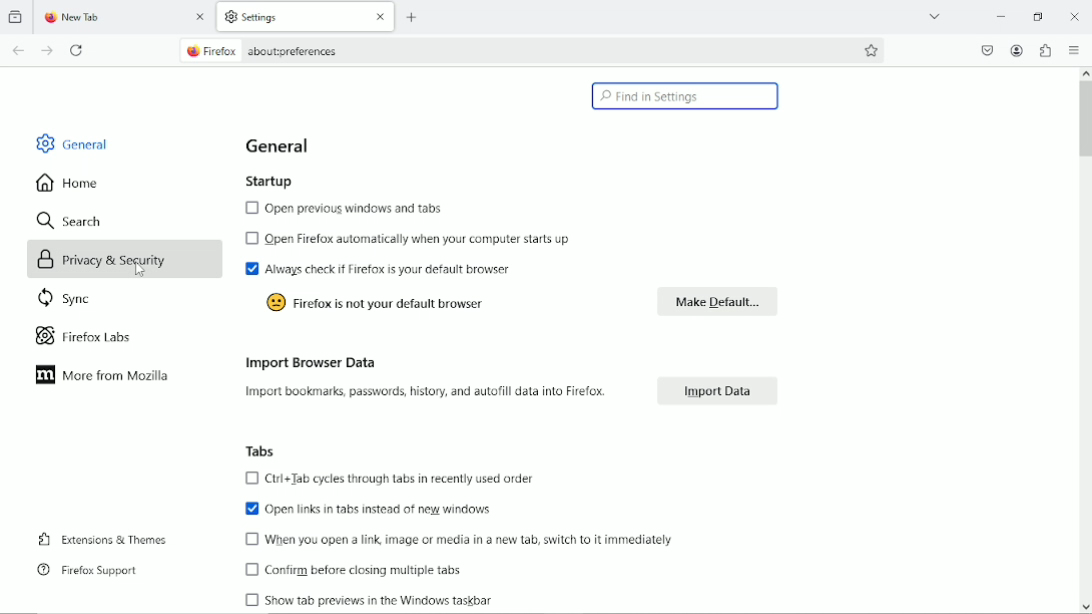 This screenshot has width=1092, height=614. Describe the element at coordinates (104, 376) in the screenshot. I see `more from mozilla` at that location.